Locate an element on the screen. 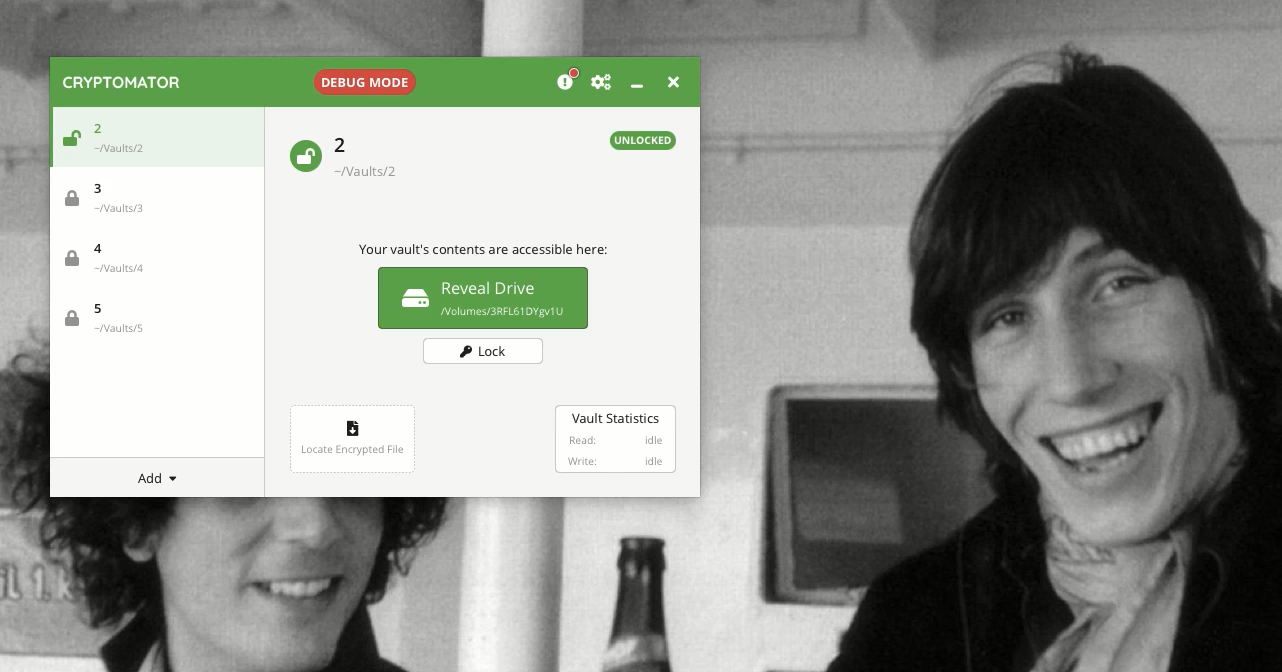 The height and width of the screenshot is (672, 1282). Reveal drive is located at coordinates (483, 297).